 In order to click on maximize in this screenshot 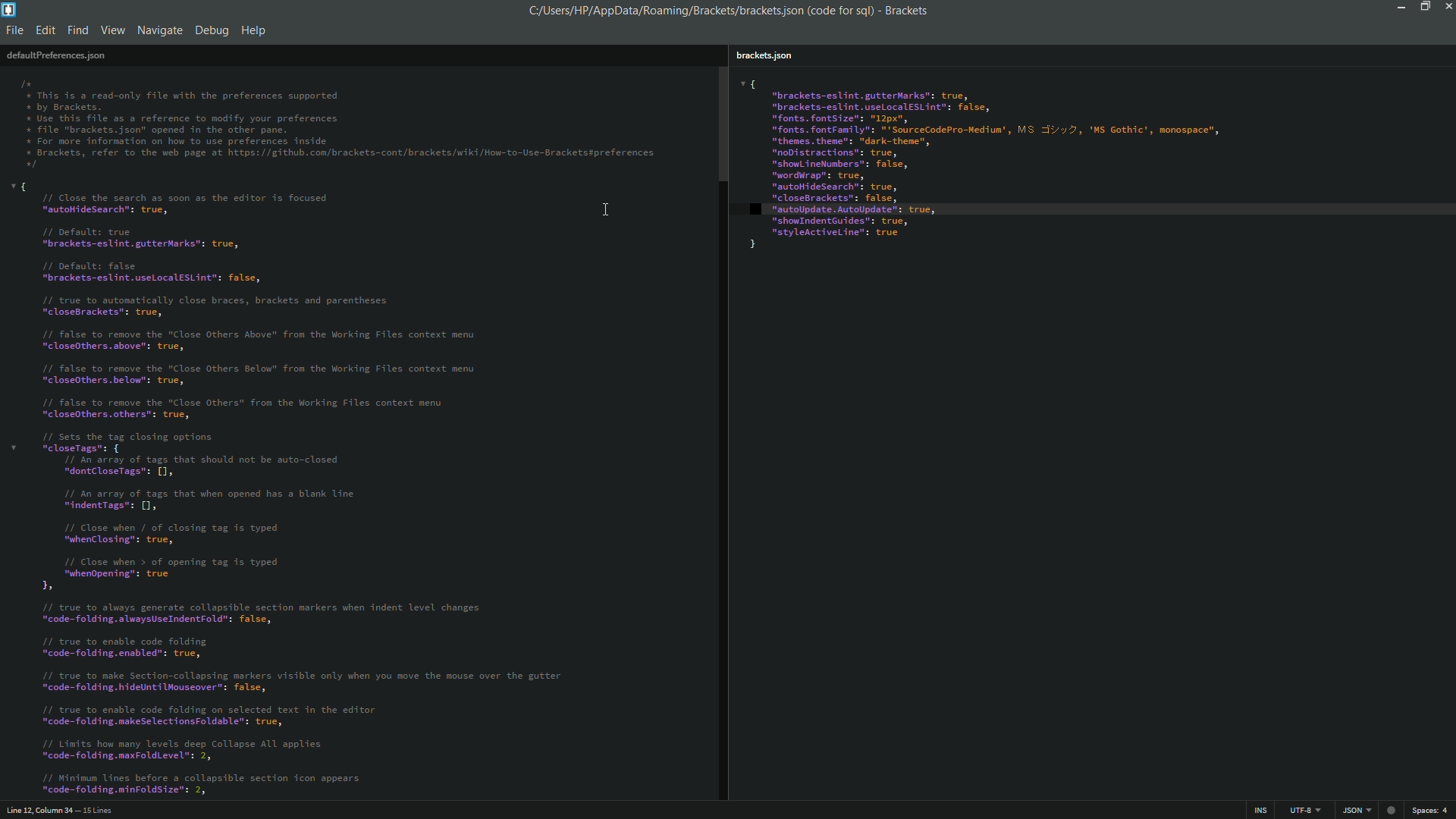, I will do `click(1423, 7)`.